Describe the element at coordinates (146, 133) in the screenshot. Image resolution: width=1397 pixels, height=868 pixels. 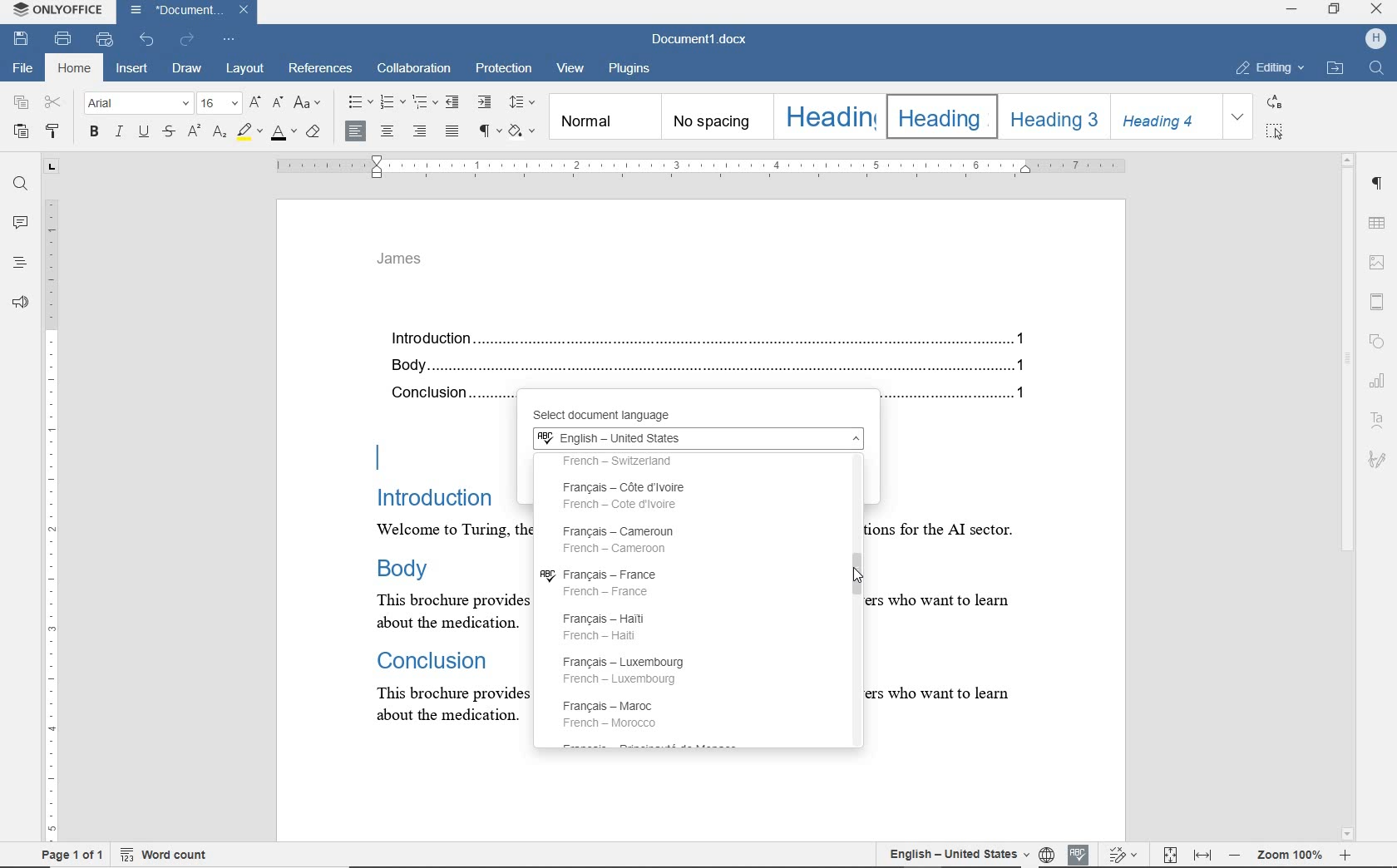
I see `underline` at that location.